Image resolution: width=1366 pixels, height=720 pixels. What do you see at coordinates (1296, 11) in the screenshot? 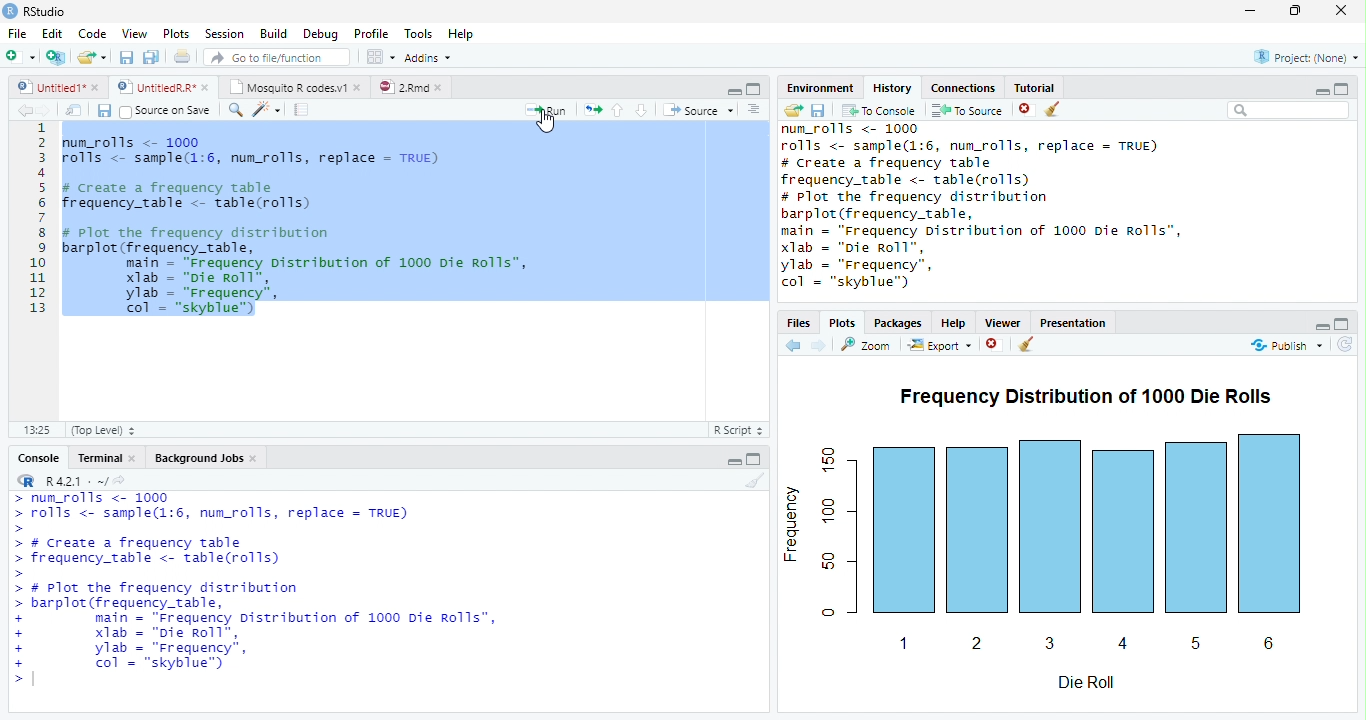
I see `Maximize` at bounding box center [1296, 11].